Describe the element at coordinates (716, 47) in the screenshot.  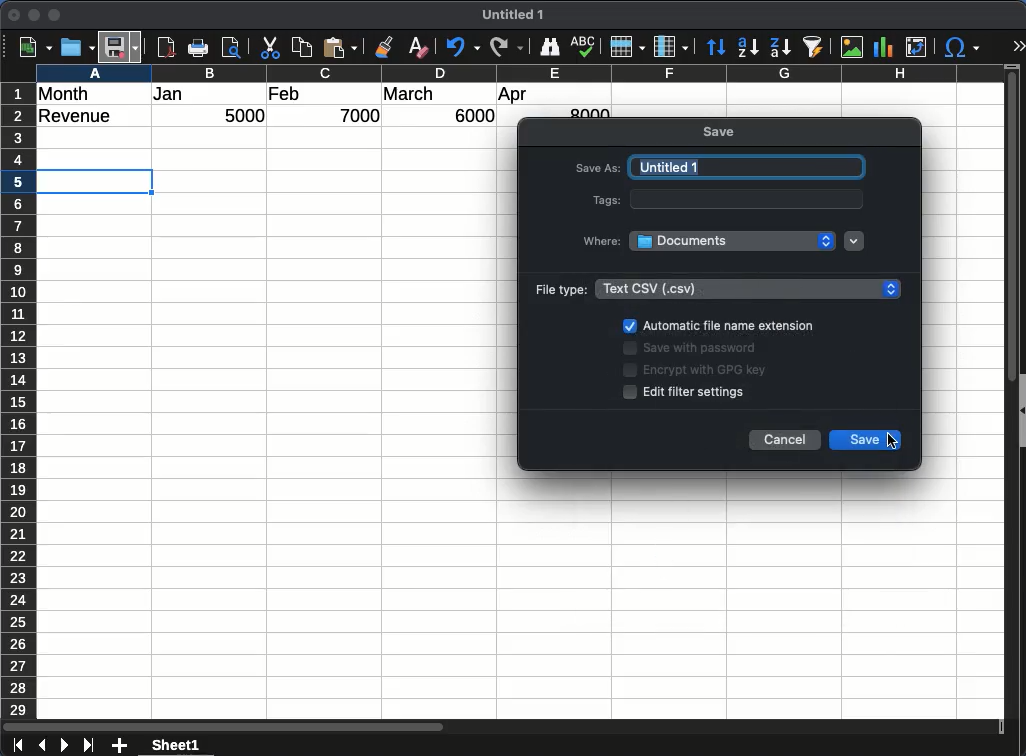
I see `sort` at that location.